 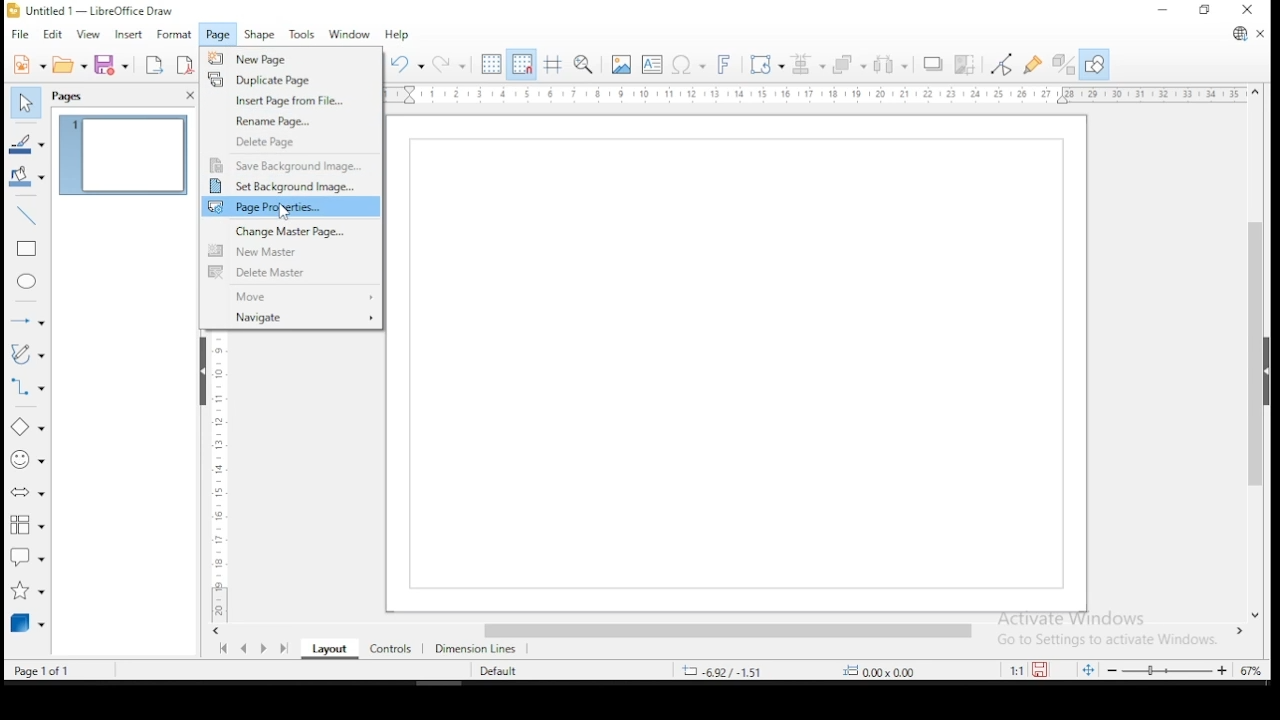 I want to click on show grids, so click(x=489, y=63).